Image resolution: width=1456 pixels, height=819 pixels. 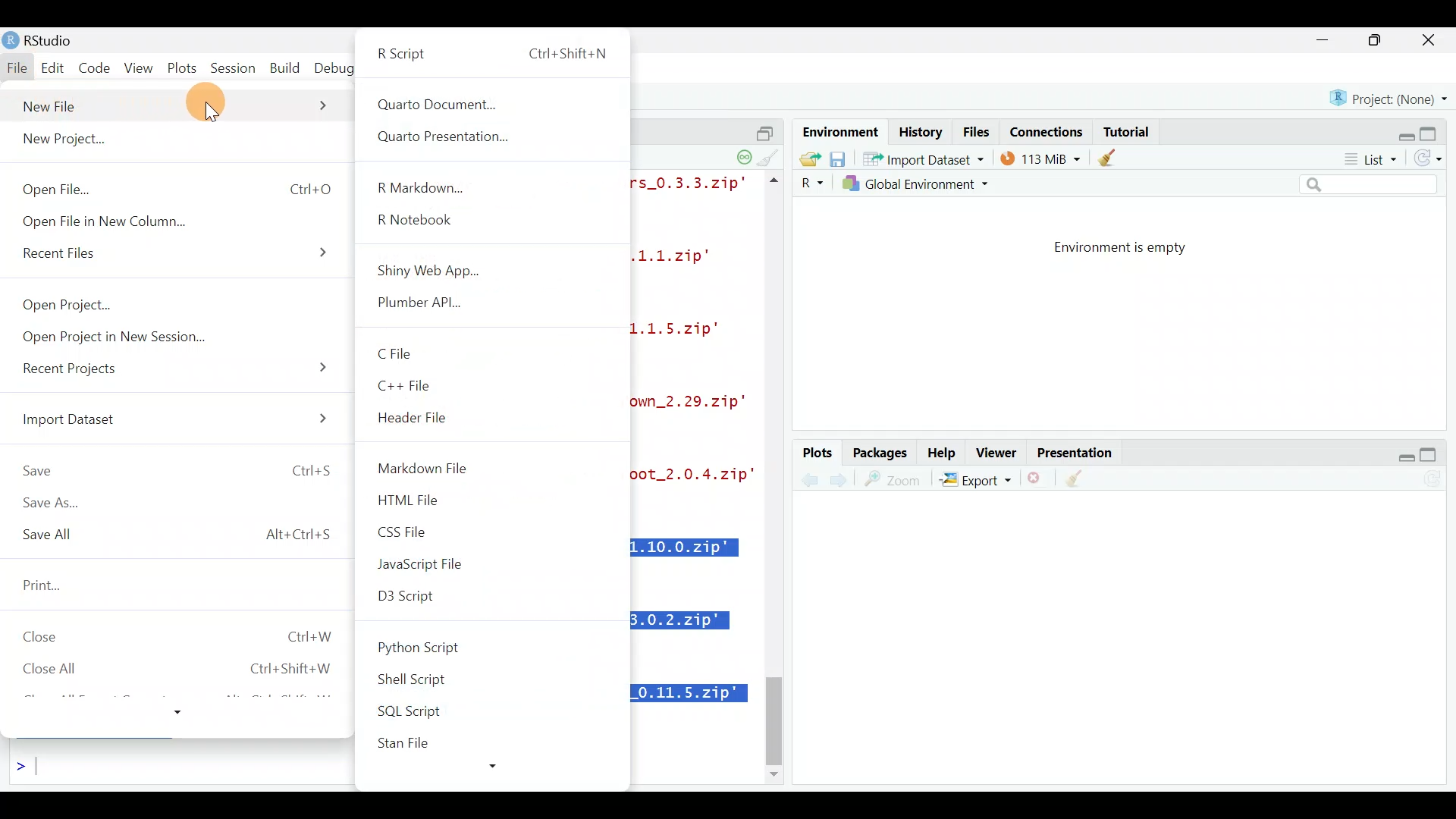 What do you see at coordinates (137, 337) in the screenshot?
I see `Open Project in New Session...` at bounding box center [137, 337].